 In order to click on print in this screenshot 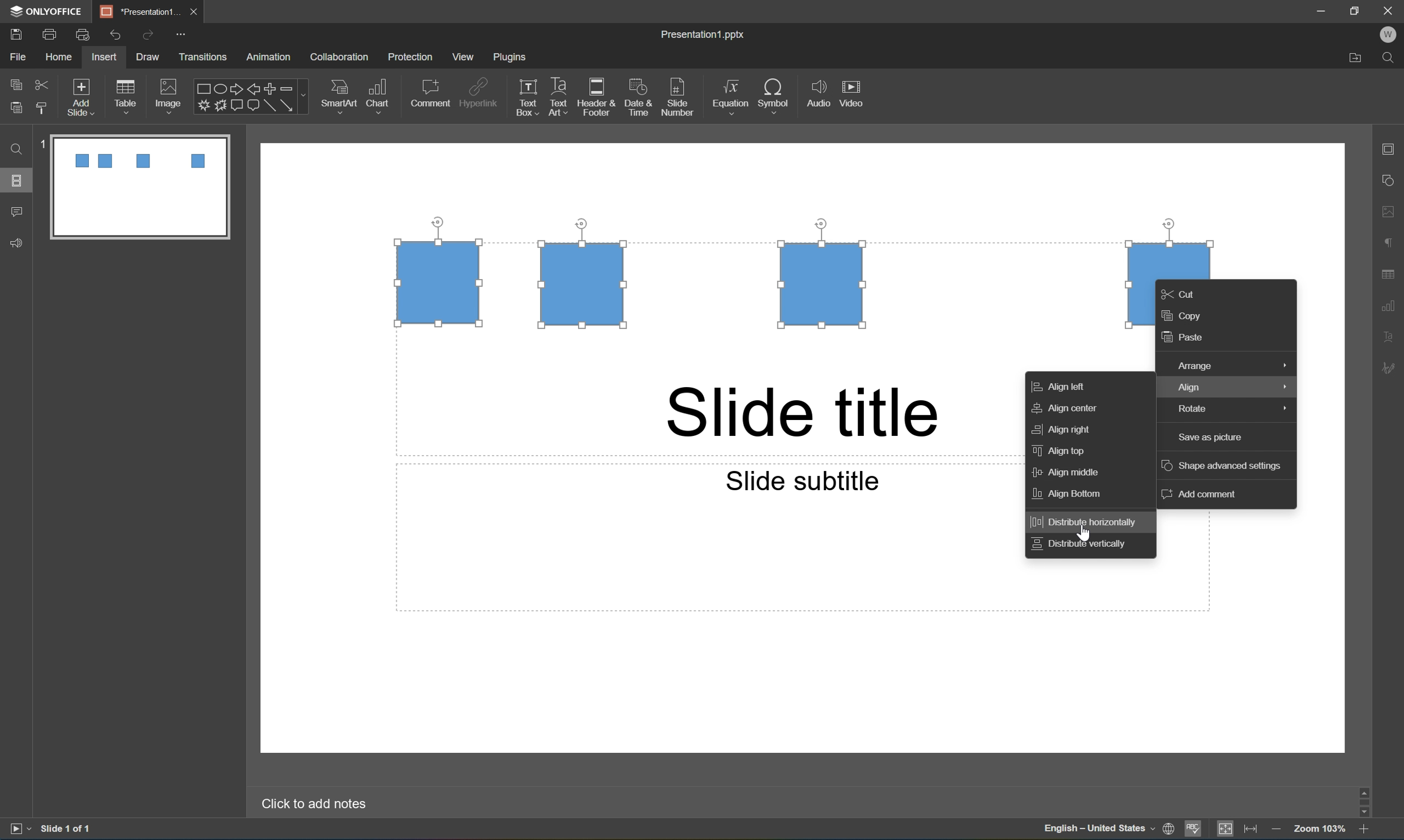, I will do `click(48, 33)`.